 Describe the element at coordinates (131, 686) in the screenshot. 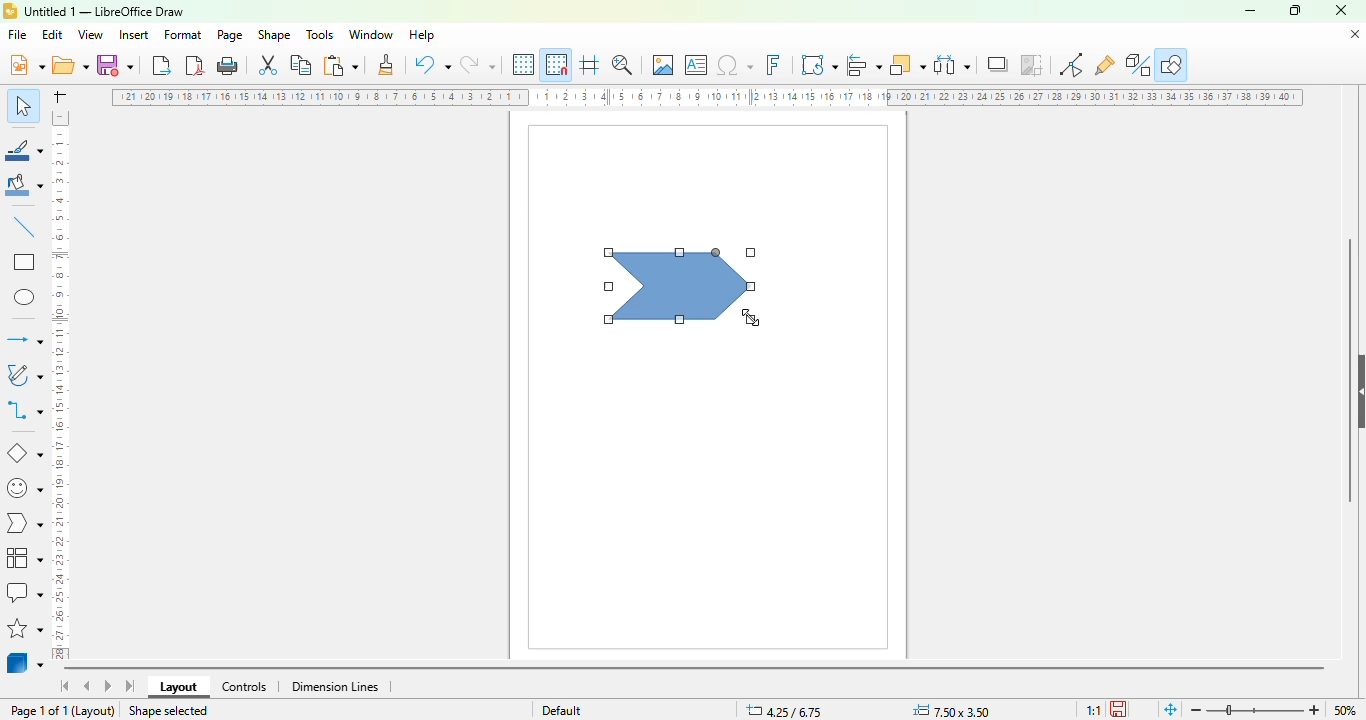

I see `scroll to last sheet` at that location.